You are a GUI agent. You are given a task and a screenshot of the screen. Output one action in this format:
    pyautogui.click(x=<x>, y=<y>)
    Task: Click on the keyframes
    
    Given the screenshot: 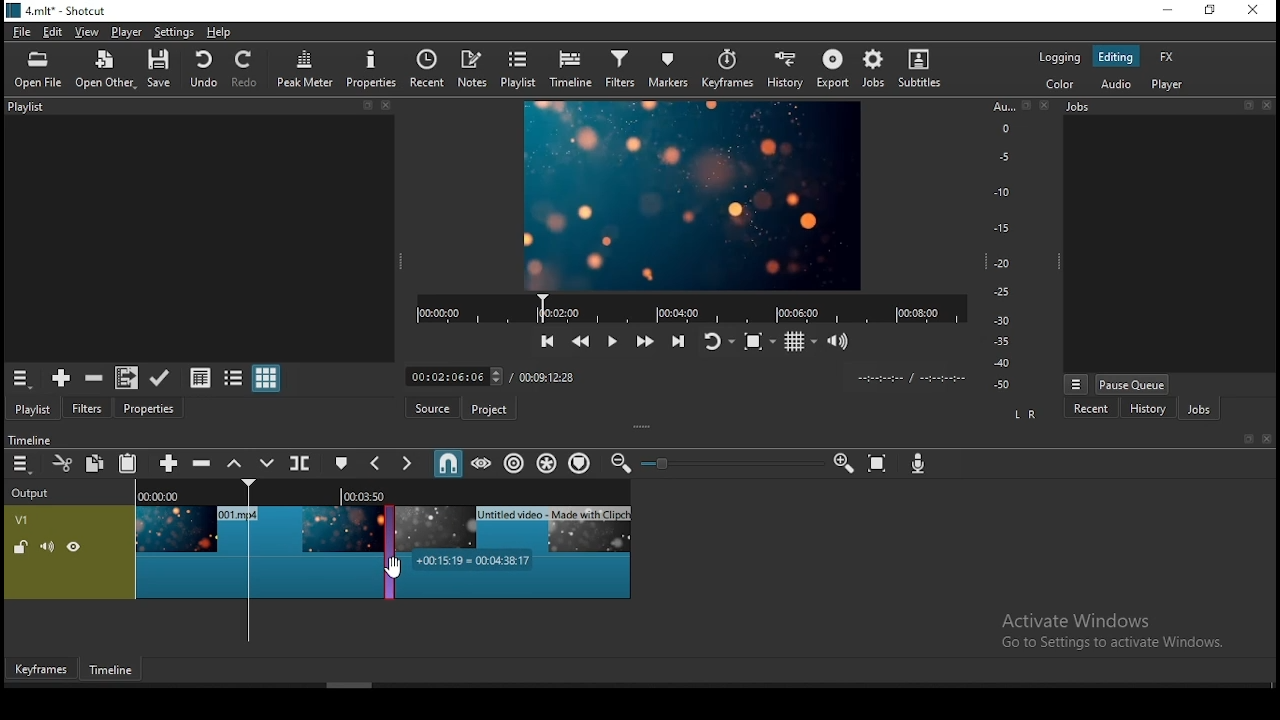 What is the action you would take?
    pyautogui.click(x=41, y=666)
    